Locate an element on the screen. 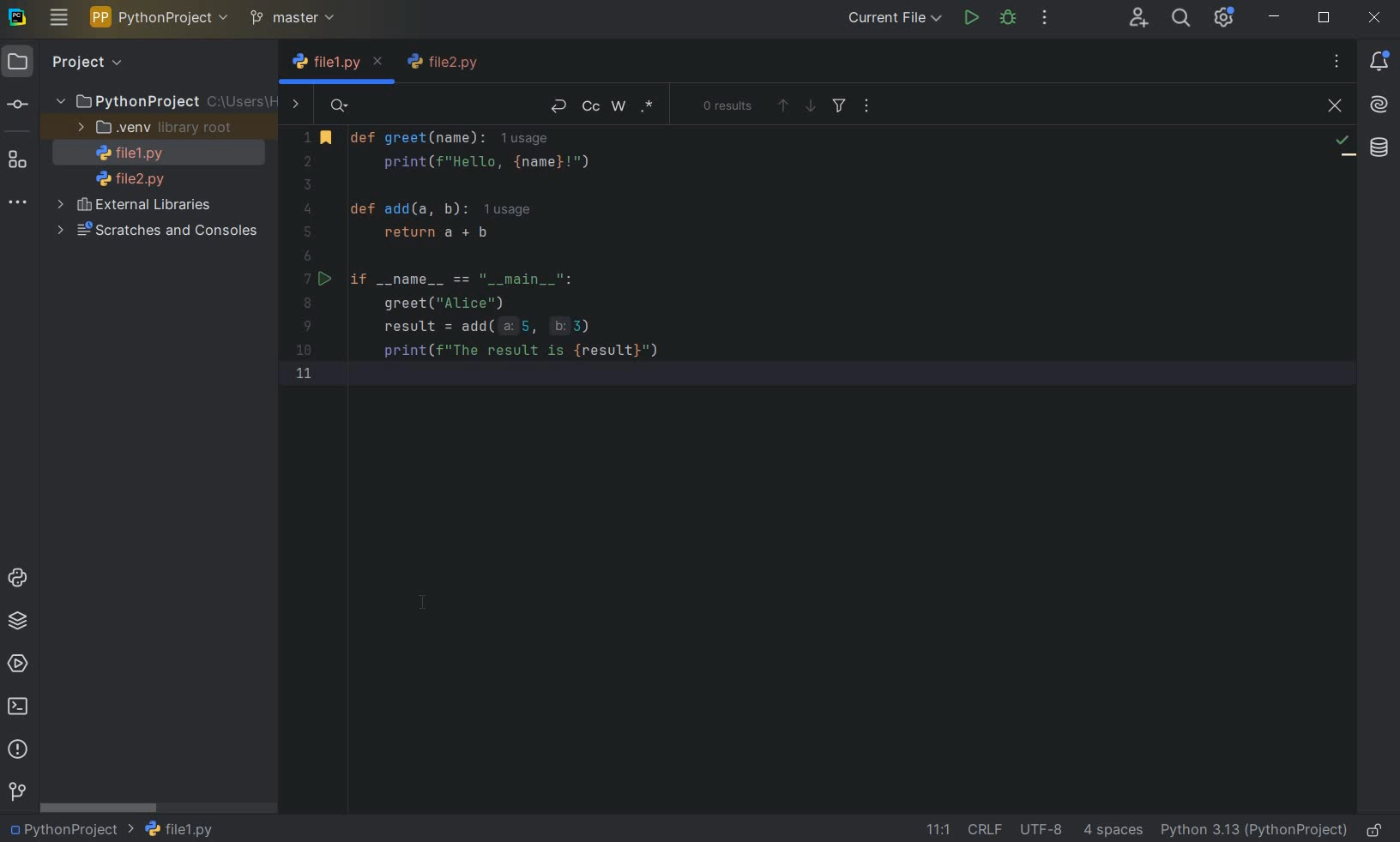 The height and width of the screenshot is (842, 1400). FILE NAME 1 is located at coordinates (337, 62).